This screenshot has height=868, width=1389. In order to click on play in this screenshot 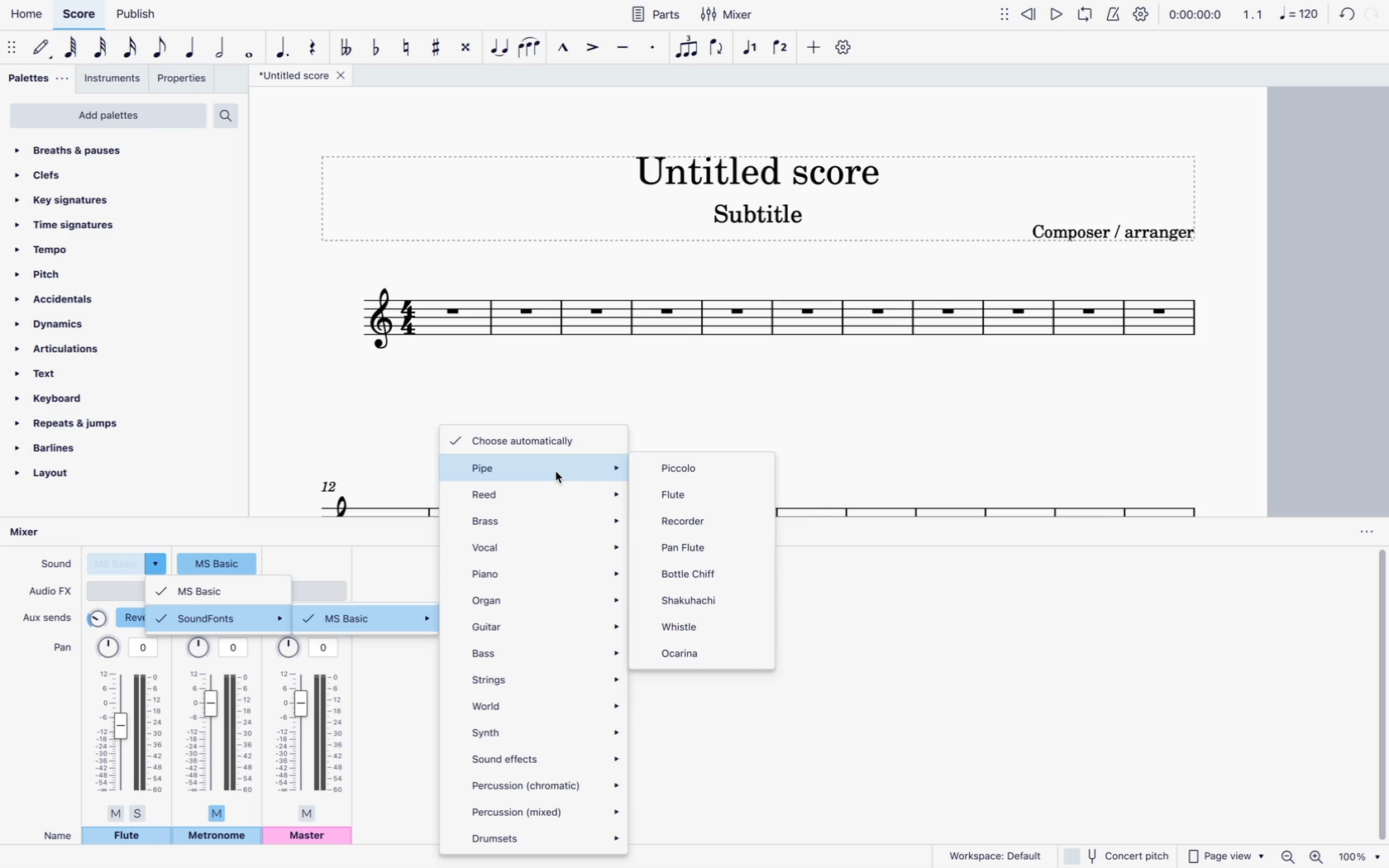, I will do `click(1058, 13)`.